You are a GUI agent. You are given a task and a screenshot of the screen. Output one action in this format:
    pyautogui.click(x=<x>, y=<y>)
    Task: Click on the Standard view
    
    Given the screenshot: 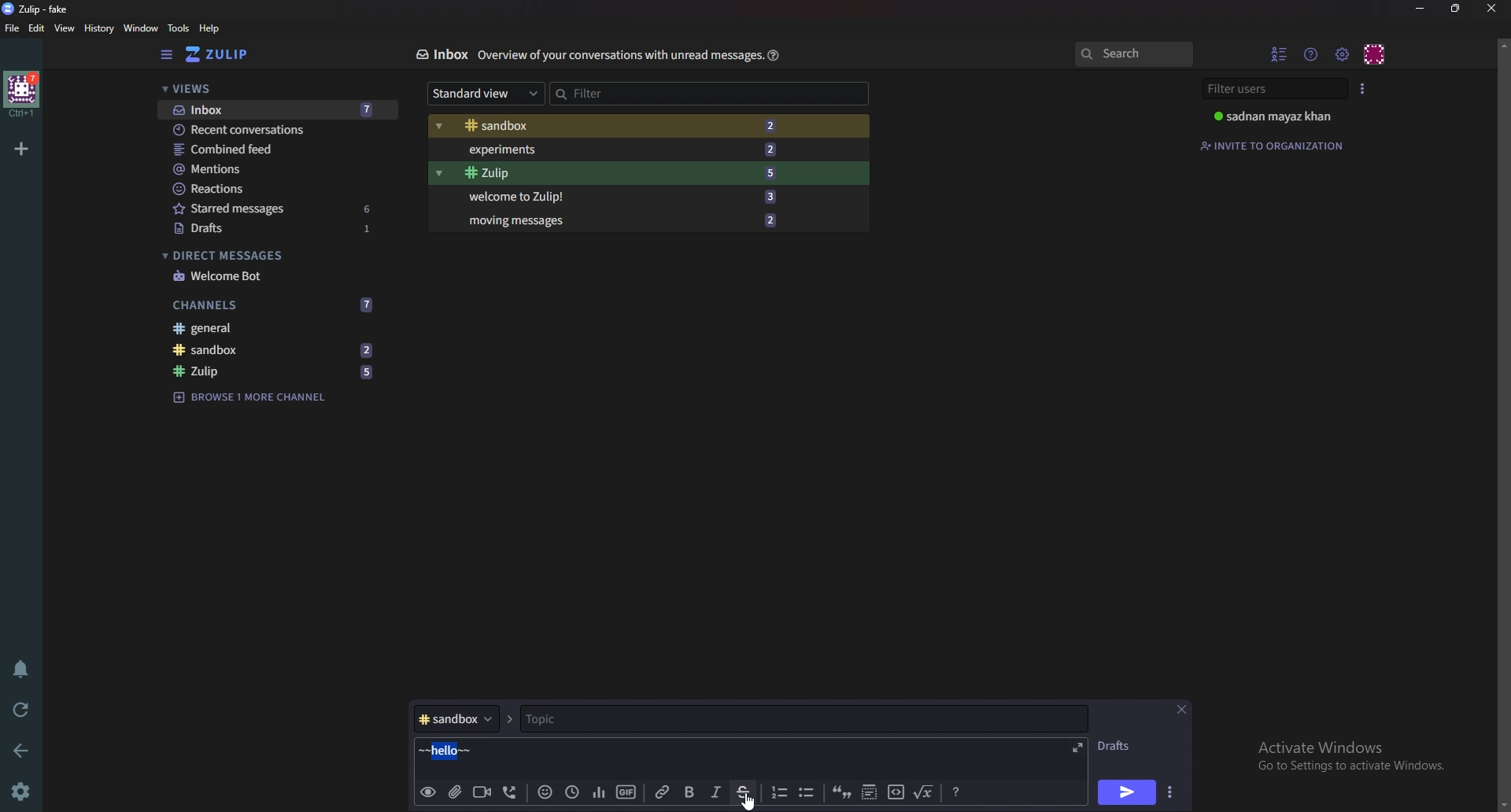 What is the action you would take?
    pyautogui.click(x=486, y=93)
    